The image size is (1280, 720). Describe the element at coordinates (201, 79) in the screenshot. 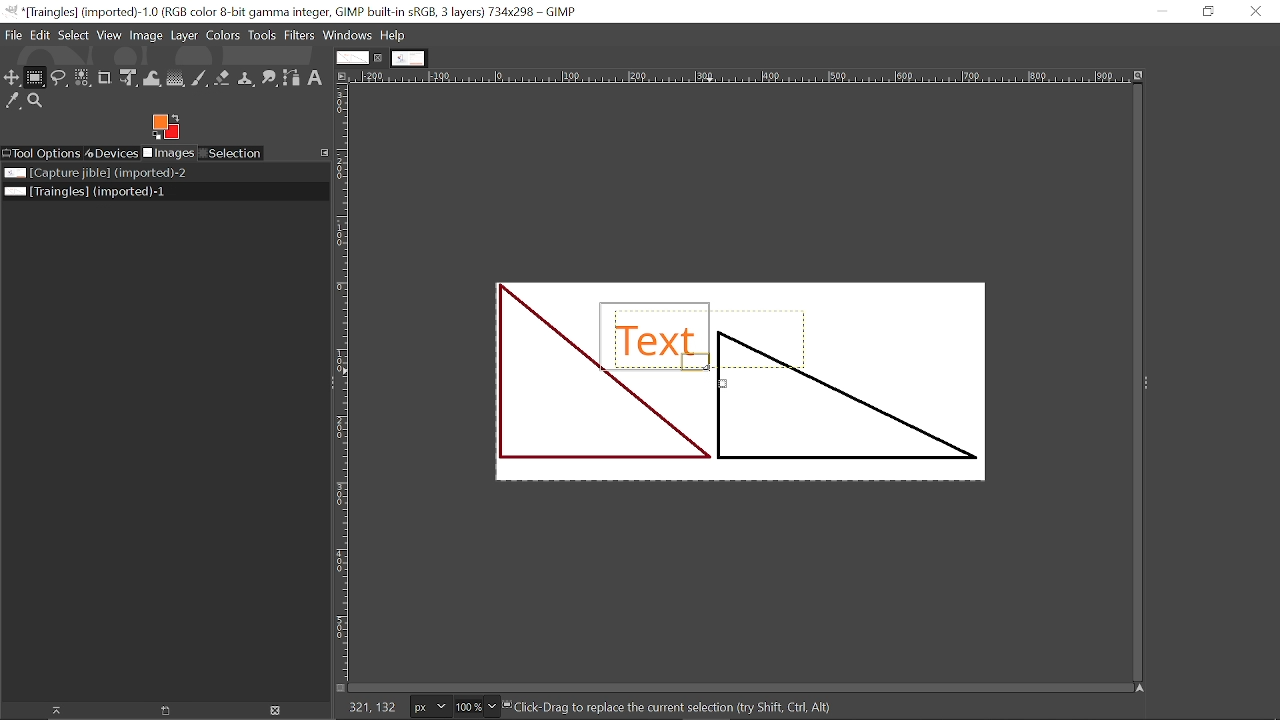

I see `Paintbrush tool` at that location.